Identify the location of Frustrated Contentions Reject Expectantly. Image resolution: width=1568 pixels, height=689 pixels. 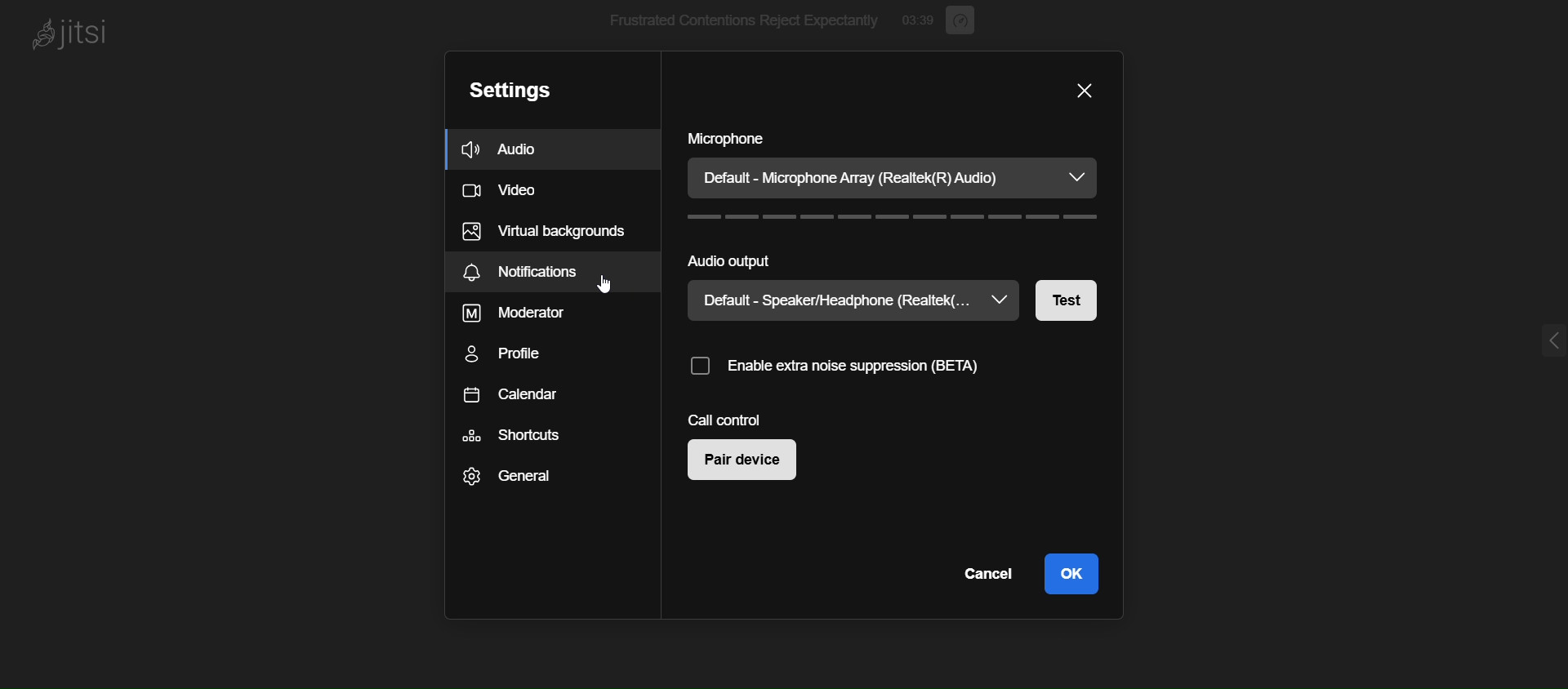
(730, 22).